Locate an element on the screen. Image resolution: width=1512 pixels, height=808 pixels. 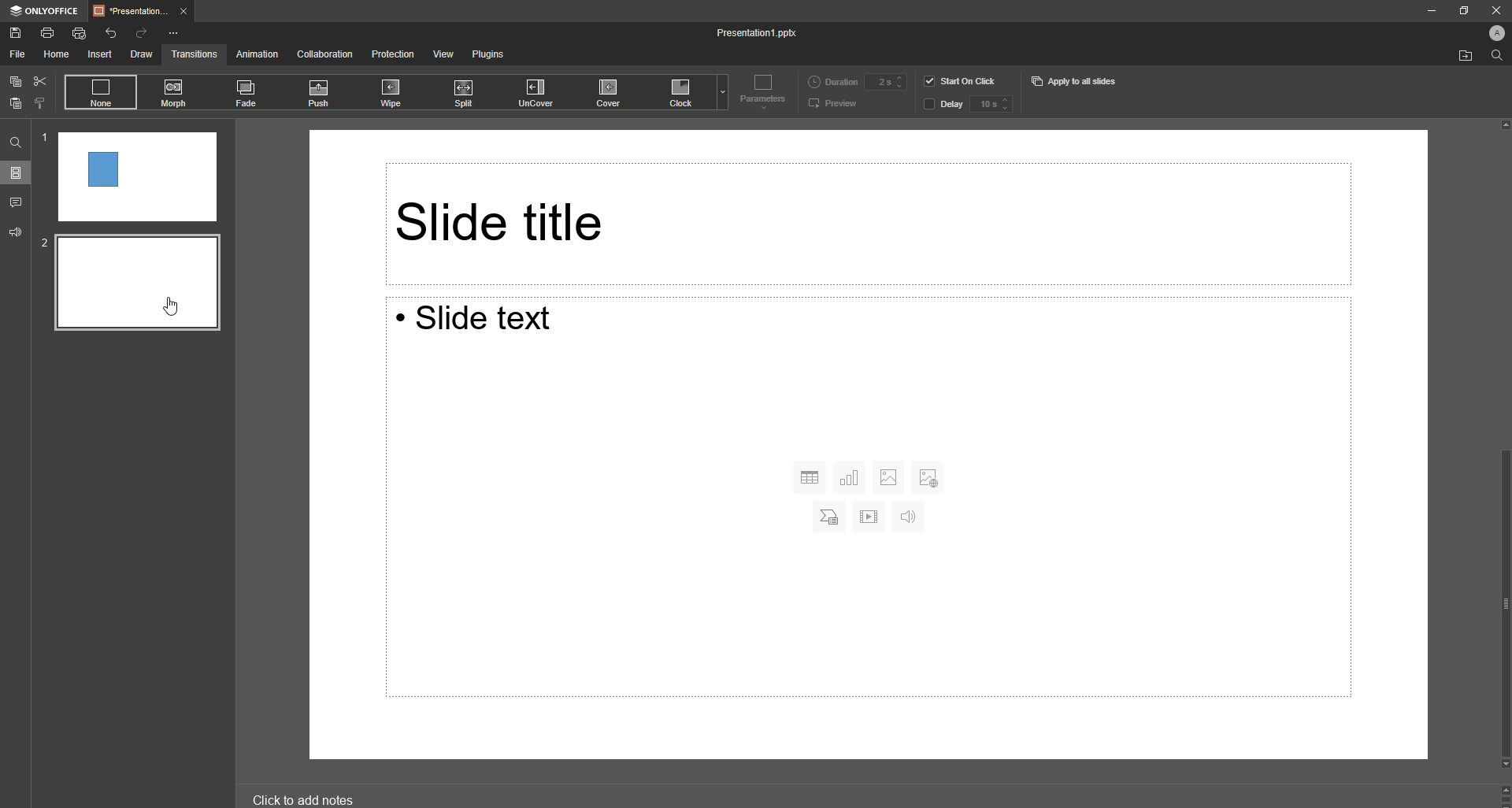
Close is located at coordinates (1494, 11).